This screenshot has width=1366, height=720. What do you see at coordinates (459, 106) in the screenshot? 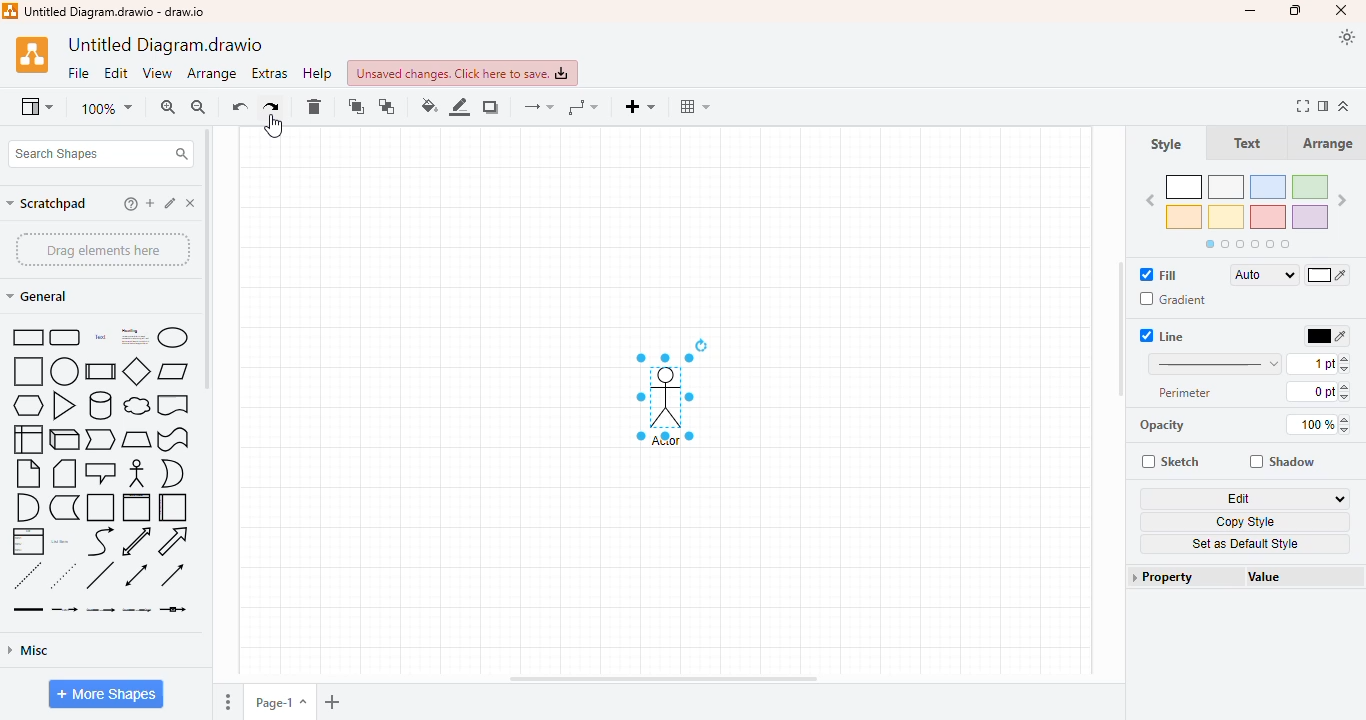
I see `line color` at bounding box center [459, 106].